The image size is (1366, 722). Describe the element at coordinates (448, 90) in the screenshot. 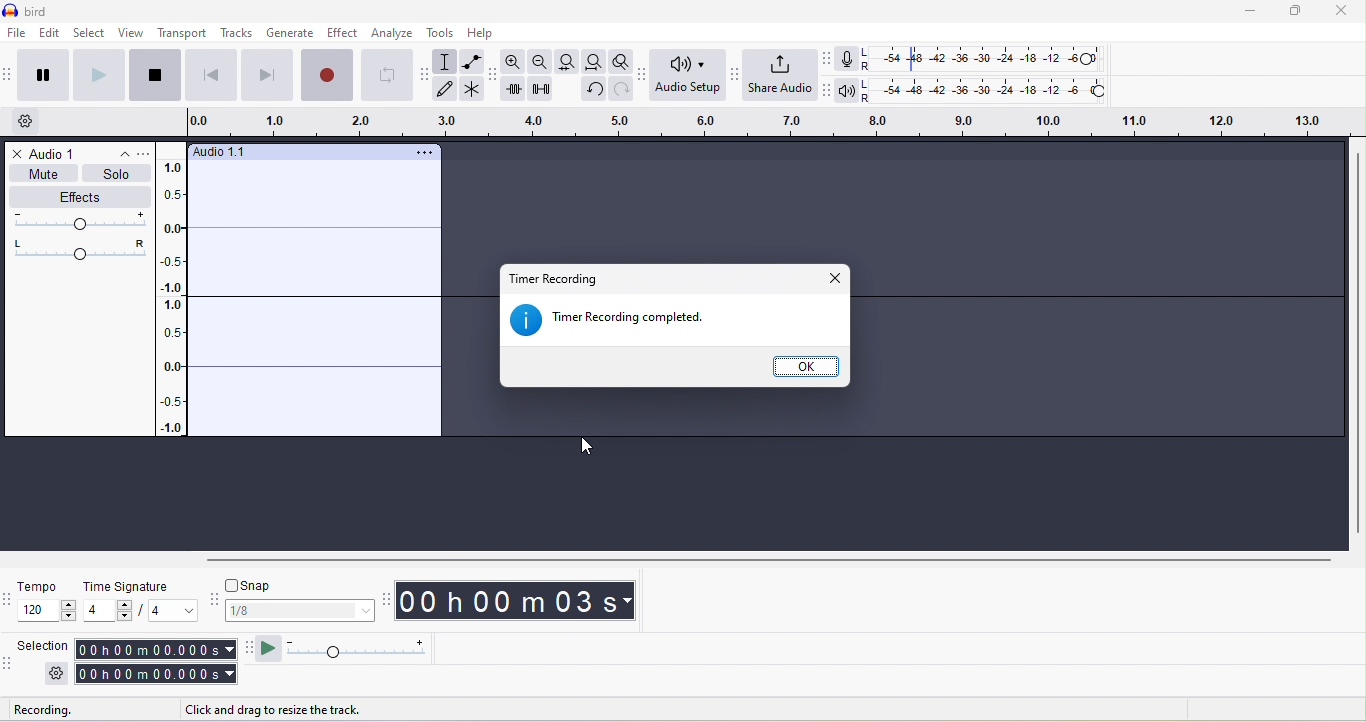

I see `draw tool` at that location.